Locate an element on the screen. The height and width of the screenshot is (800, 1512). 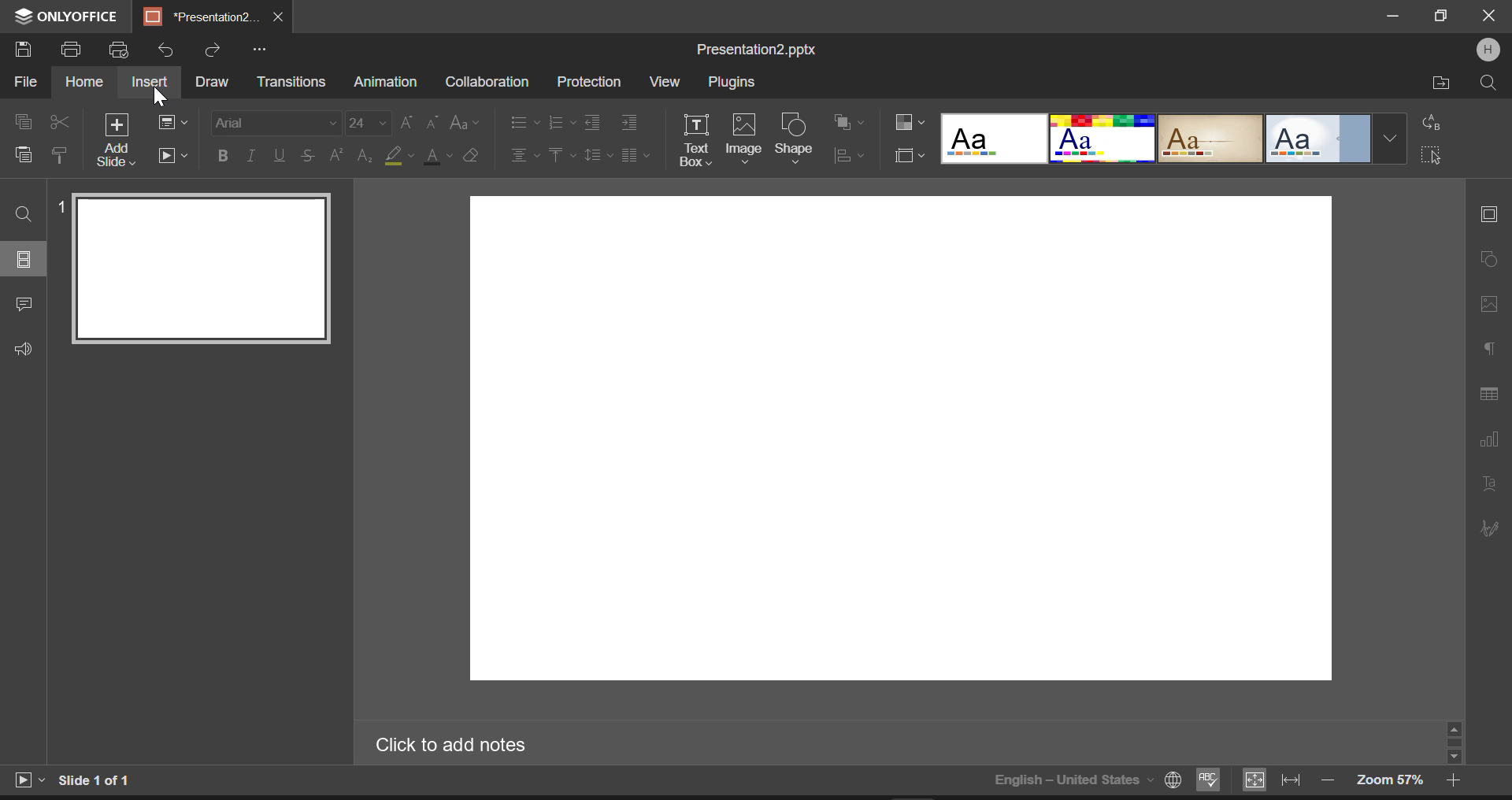
Feedback & Support is located at coordinates (23, 350).